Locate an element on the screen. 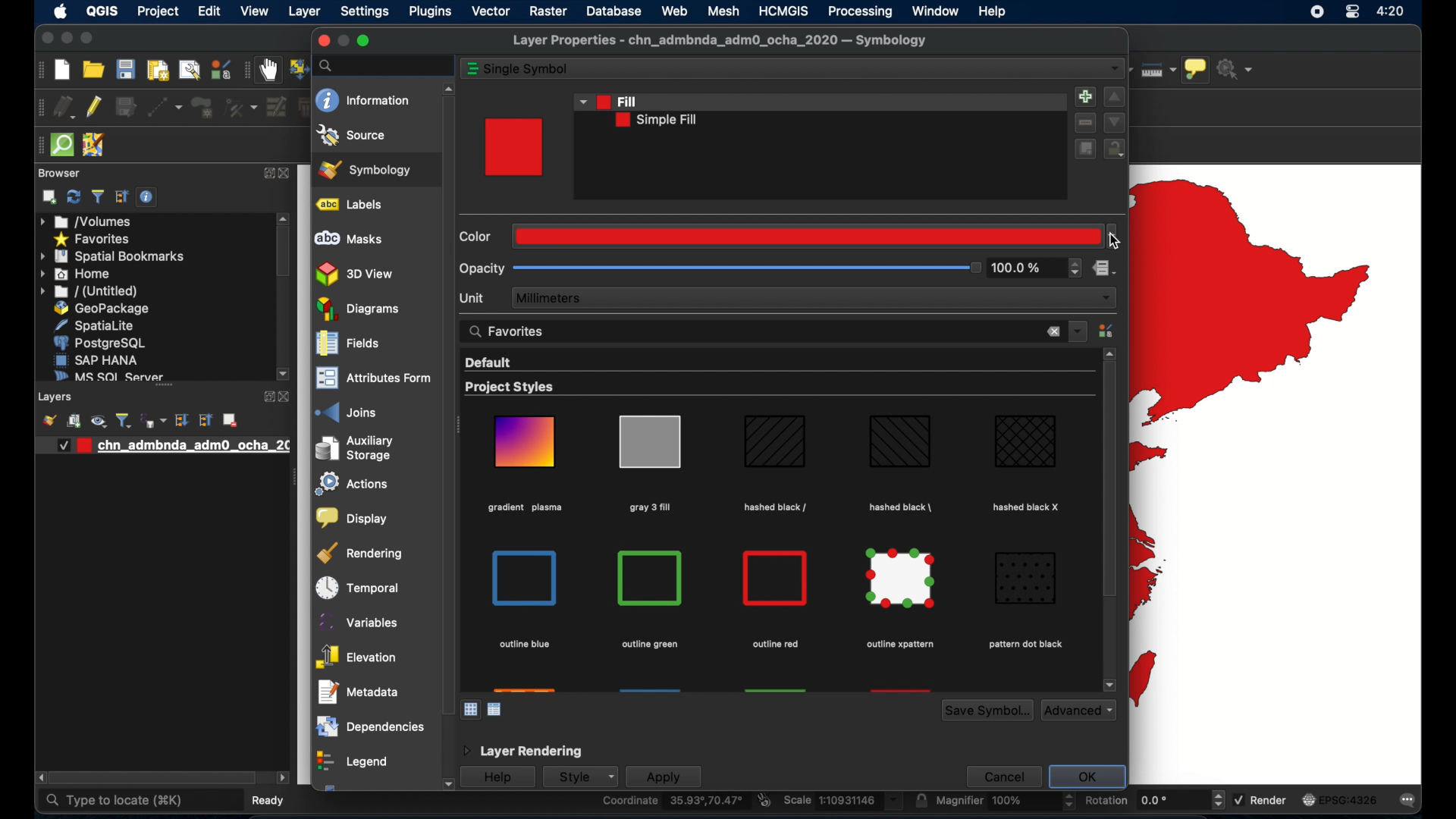 This screenshot has width=1456, height=819. home menu is located at coordinates (77, 275).